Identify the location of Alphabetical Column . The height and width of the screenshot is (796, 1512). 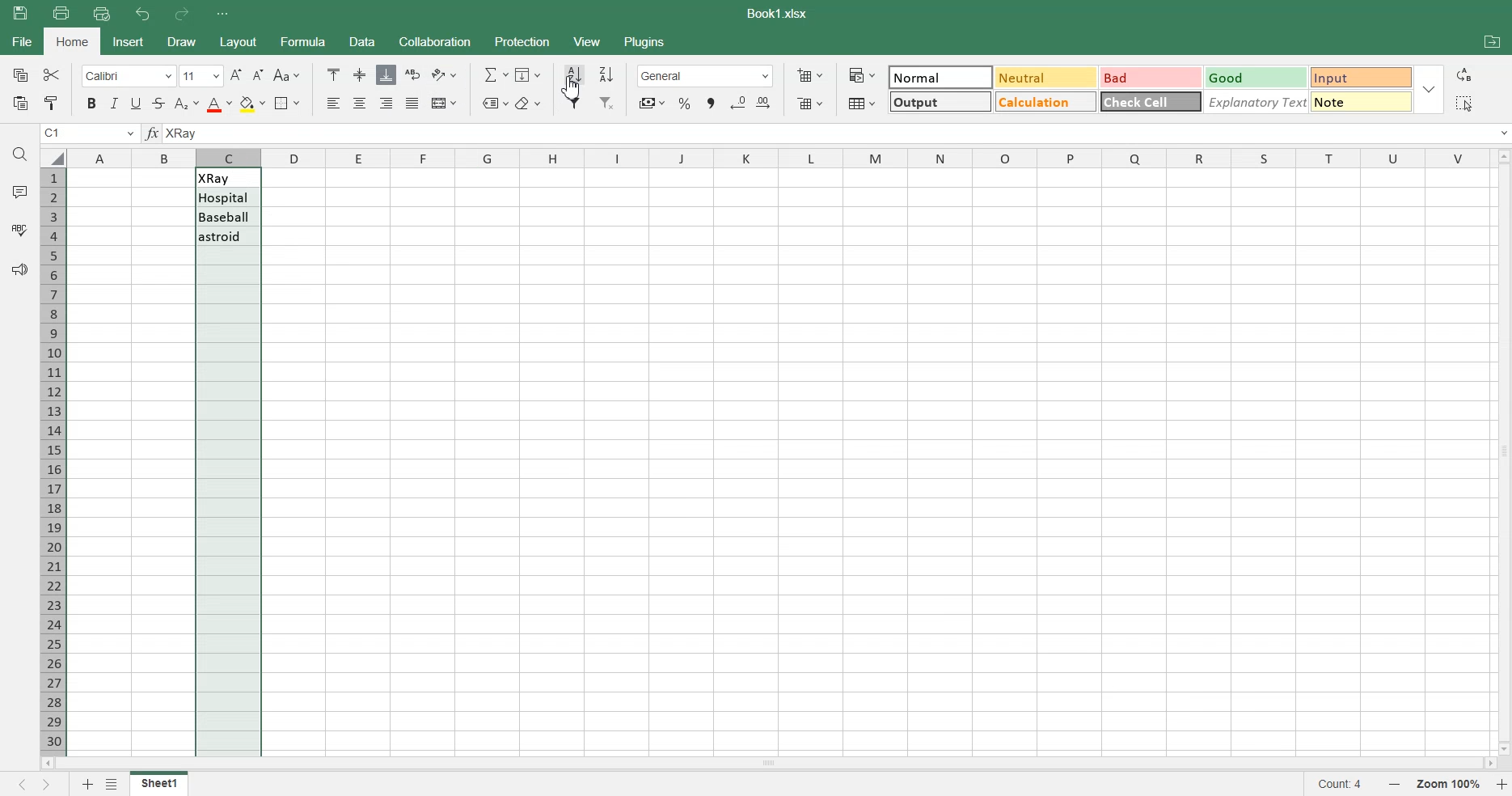
(777, 157).